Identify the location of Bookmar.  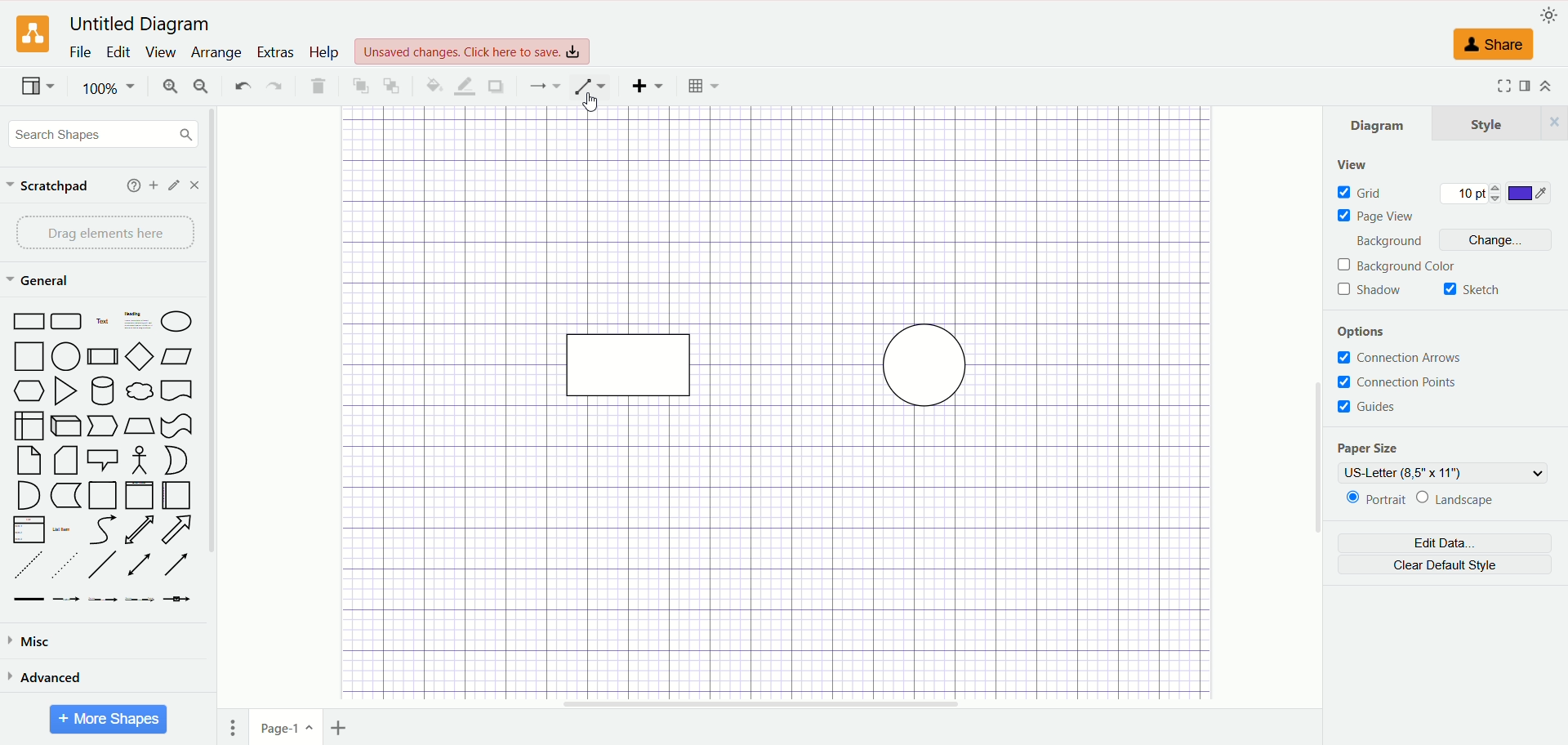
(178, 393).